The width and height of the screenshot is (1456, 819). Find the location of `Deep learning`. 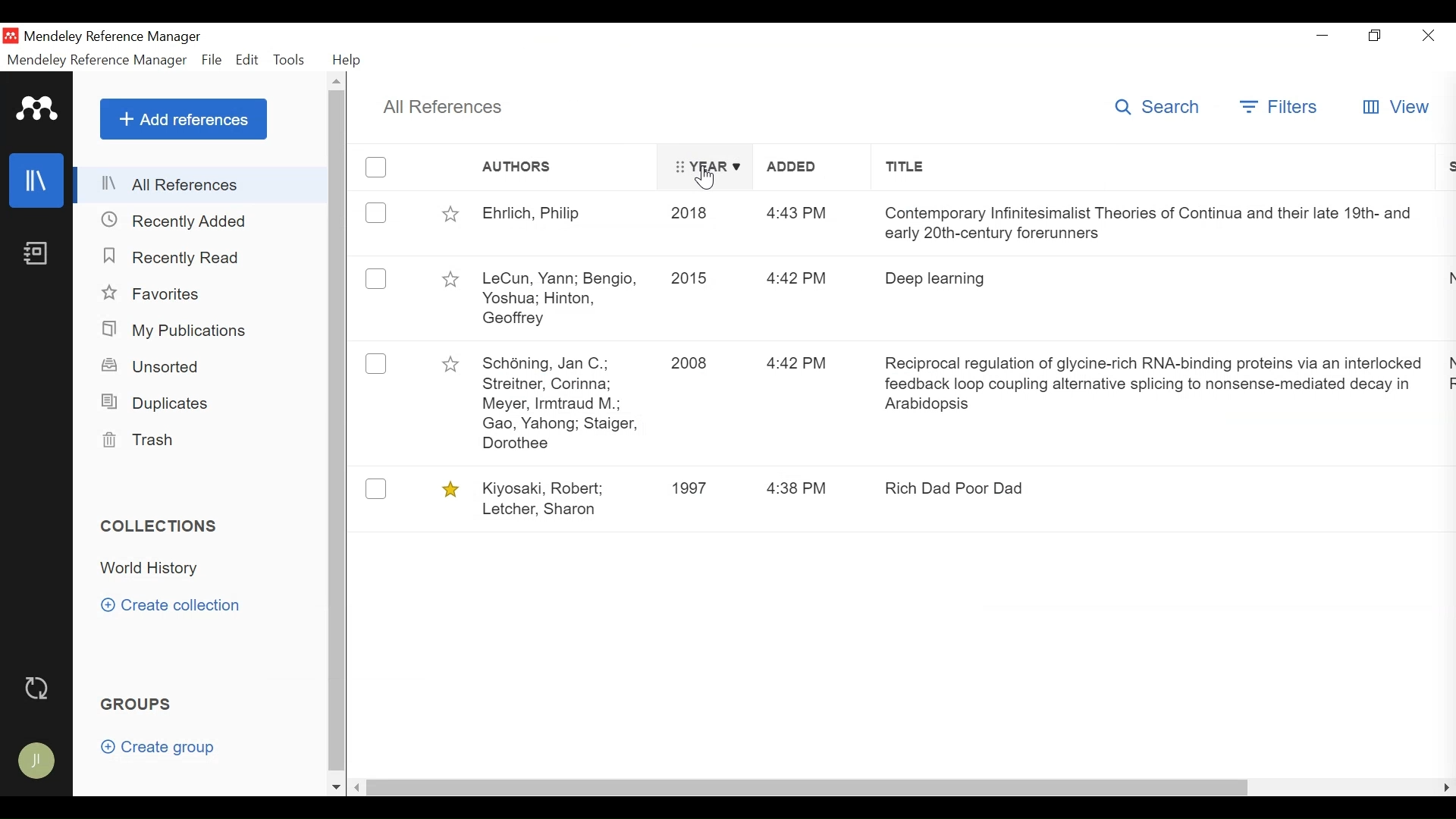

Deep learning is located at coordinates (945, 278).